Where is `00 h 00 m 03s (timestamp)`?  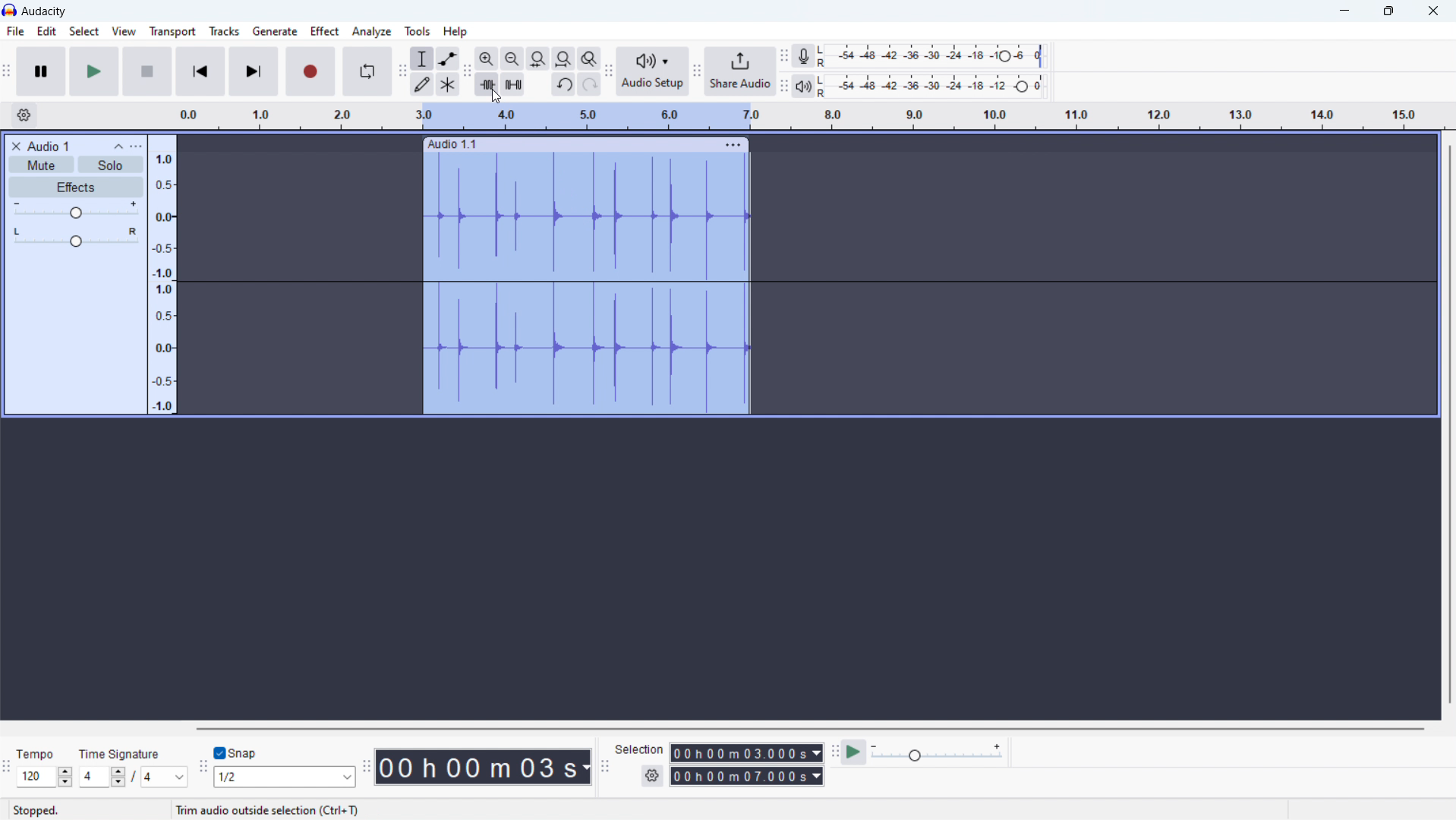 00 h 00 m 03s (timestamp) is located at coordinates (484, 770).